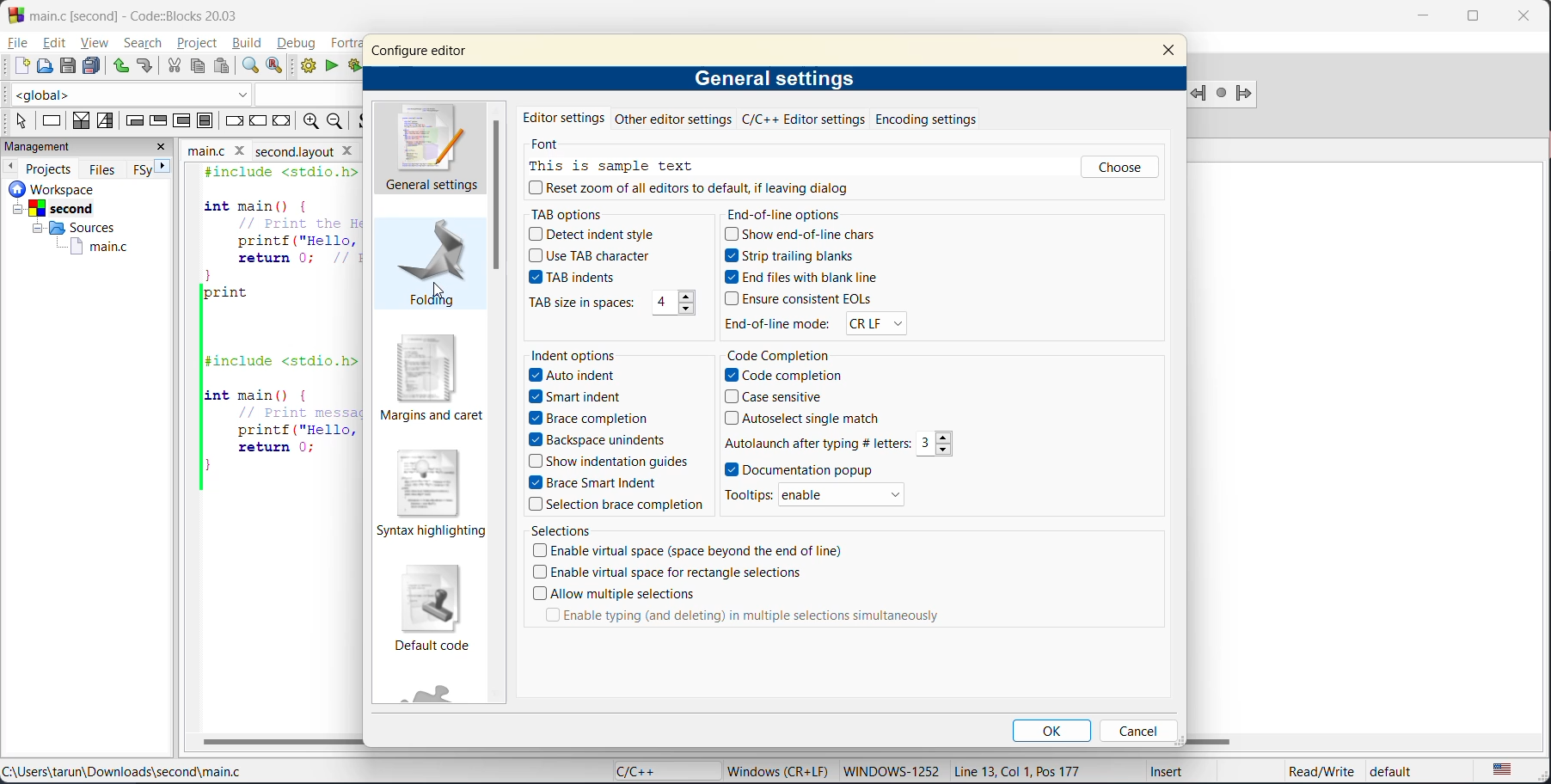 The width and height of the screenshot is (1551, 784). What do you see at coordinates (794, 257) in the screenshot?
I see `Strip trailing blanks` at bounding box center [794, 257].